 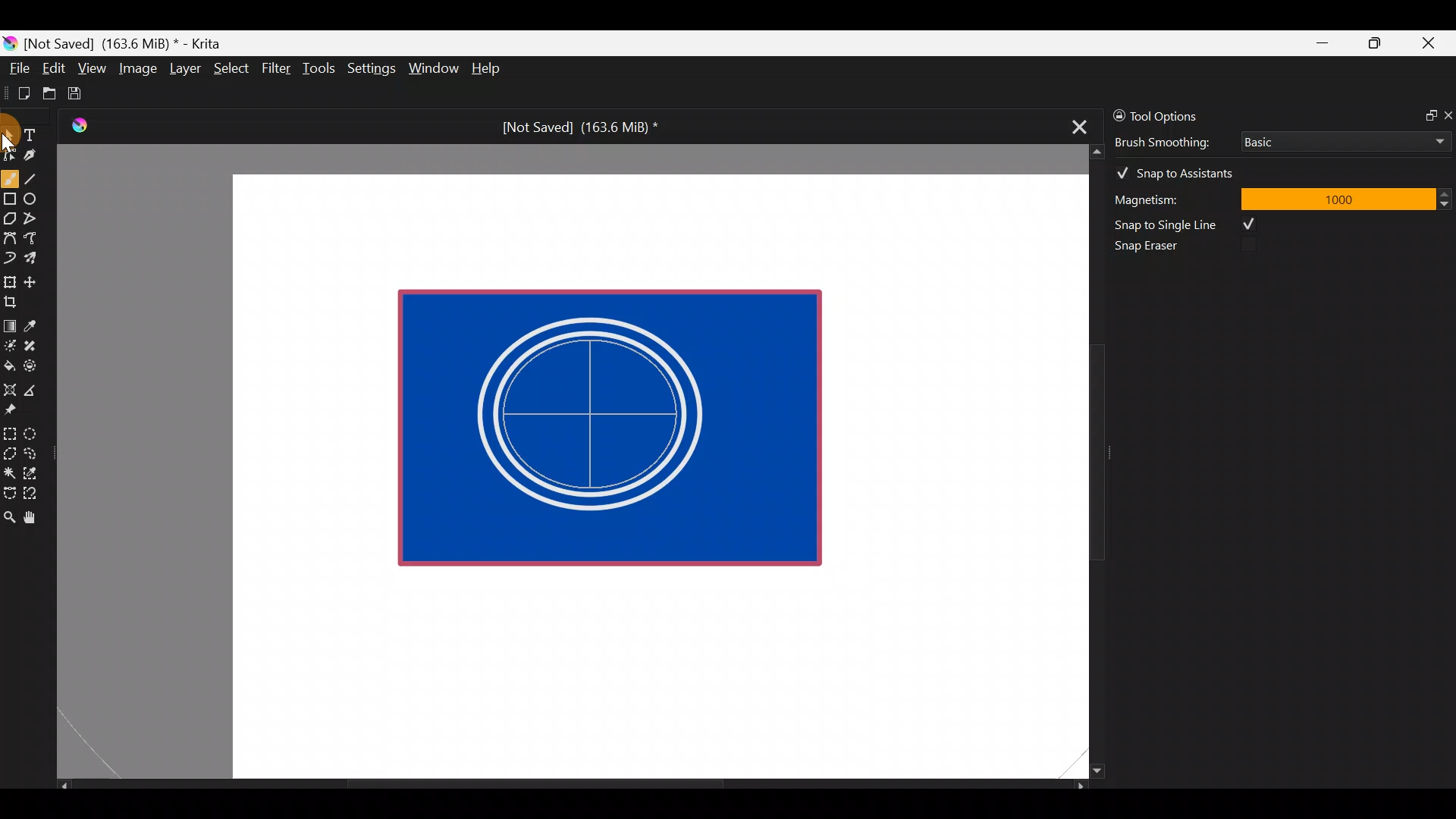 I want to click on Open an existing document, so click(x=50, y=96).